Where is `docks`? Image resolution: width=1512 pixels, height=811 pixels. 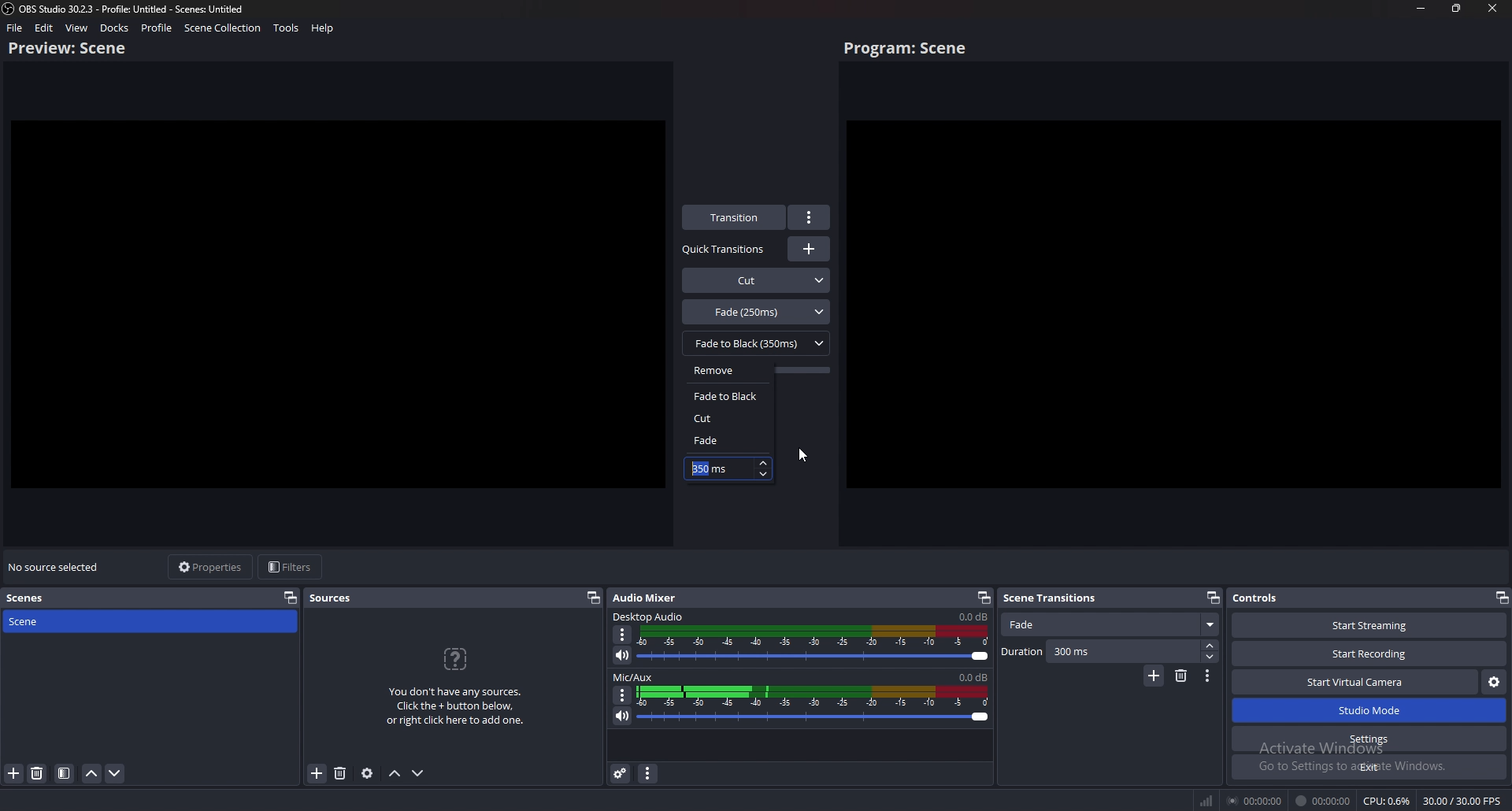
docks is located at coordinates (114, 28).